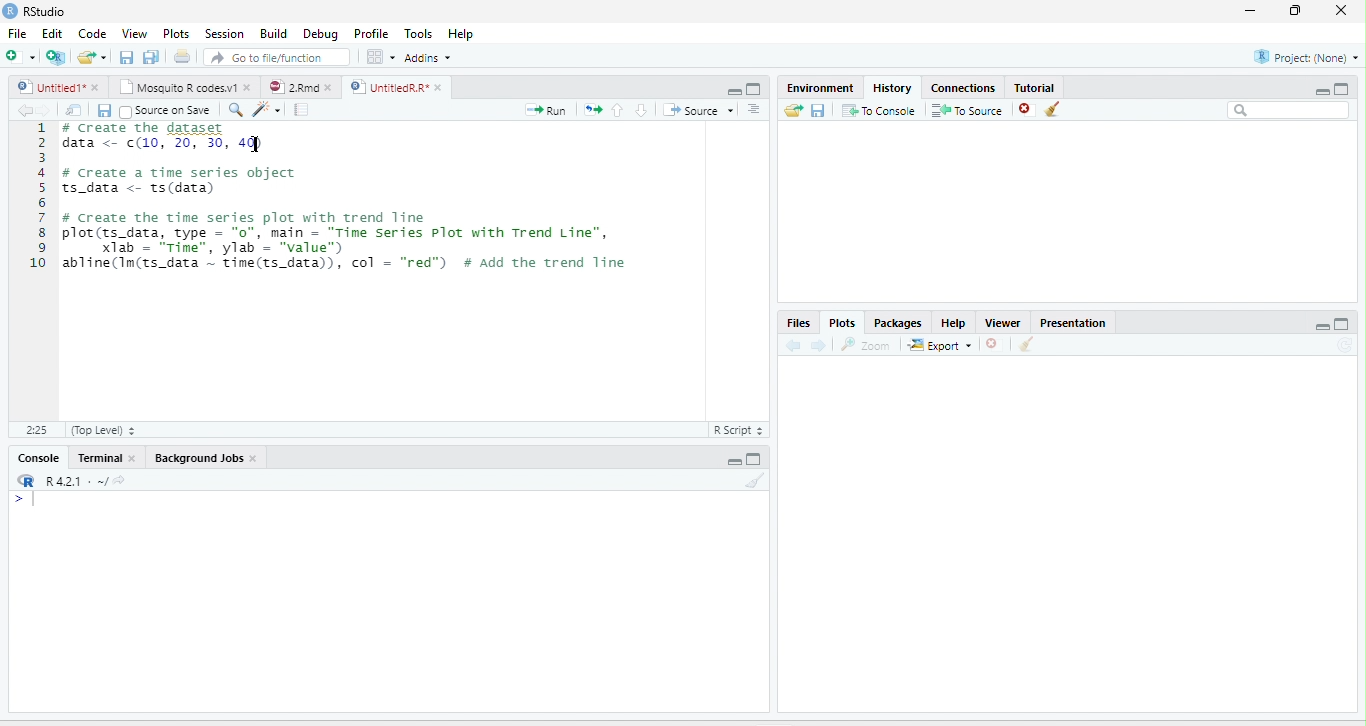 The width and height of the screenshot is (1366, 726). I want to click on Source, so click(698, 110).